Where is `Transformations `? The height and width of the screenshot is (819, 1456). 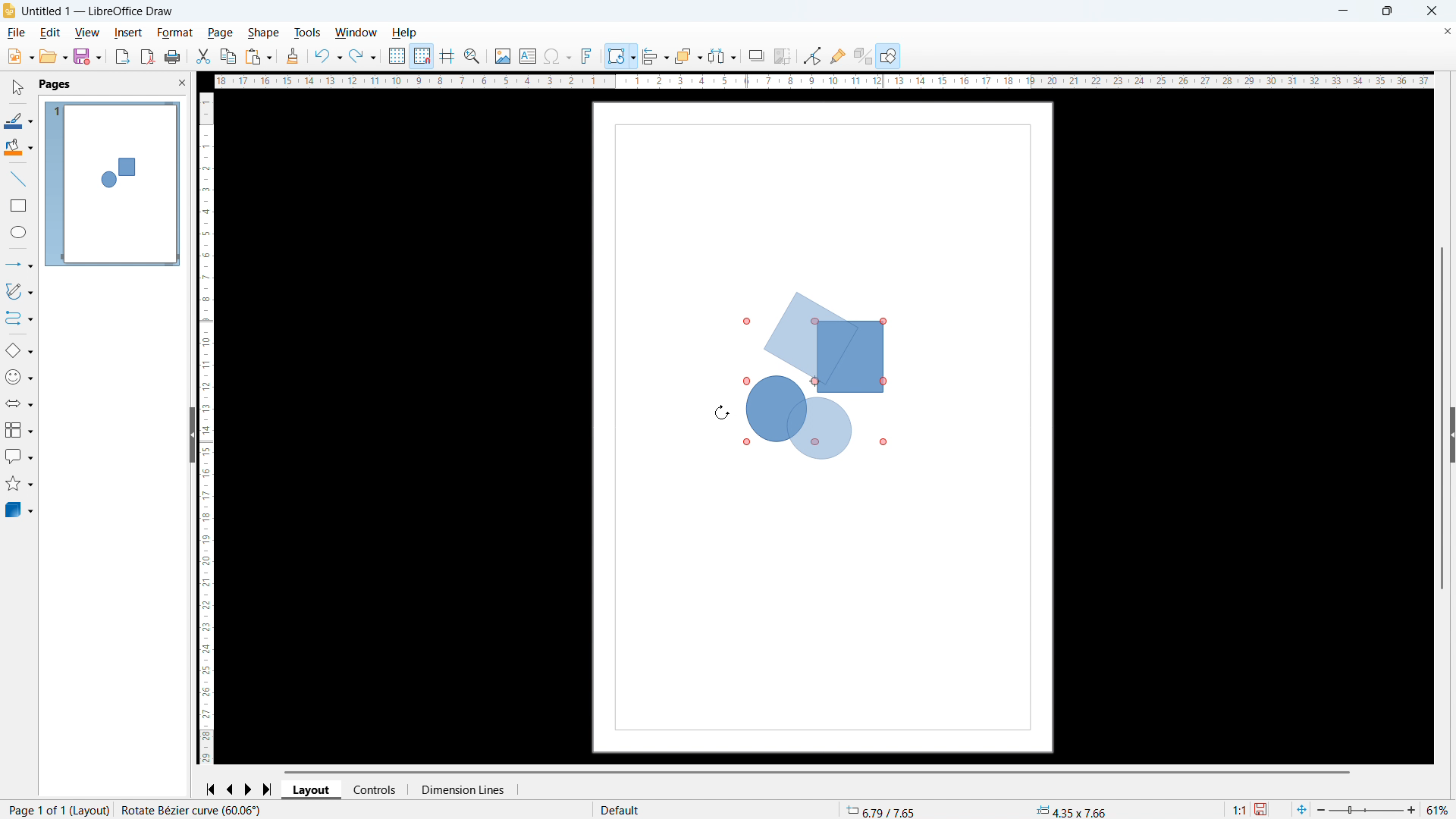 Transformations  is located at coordinates (621, 56).